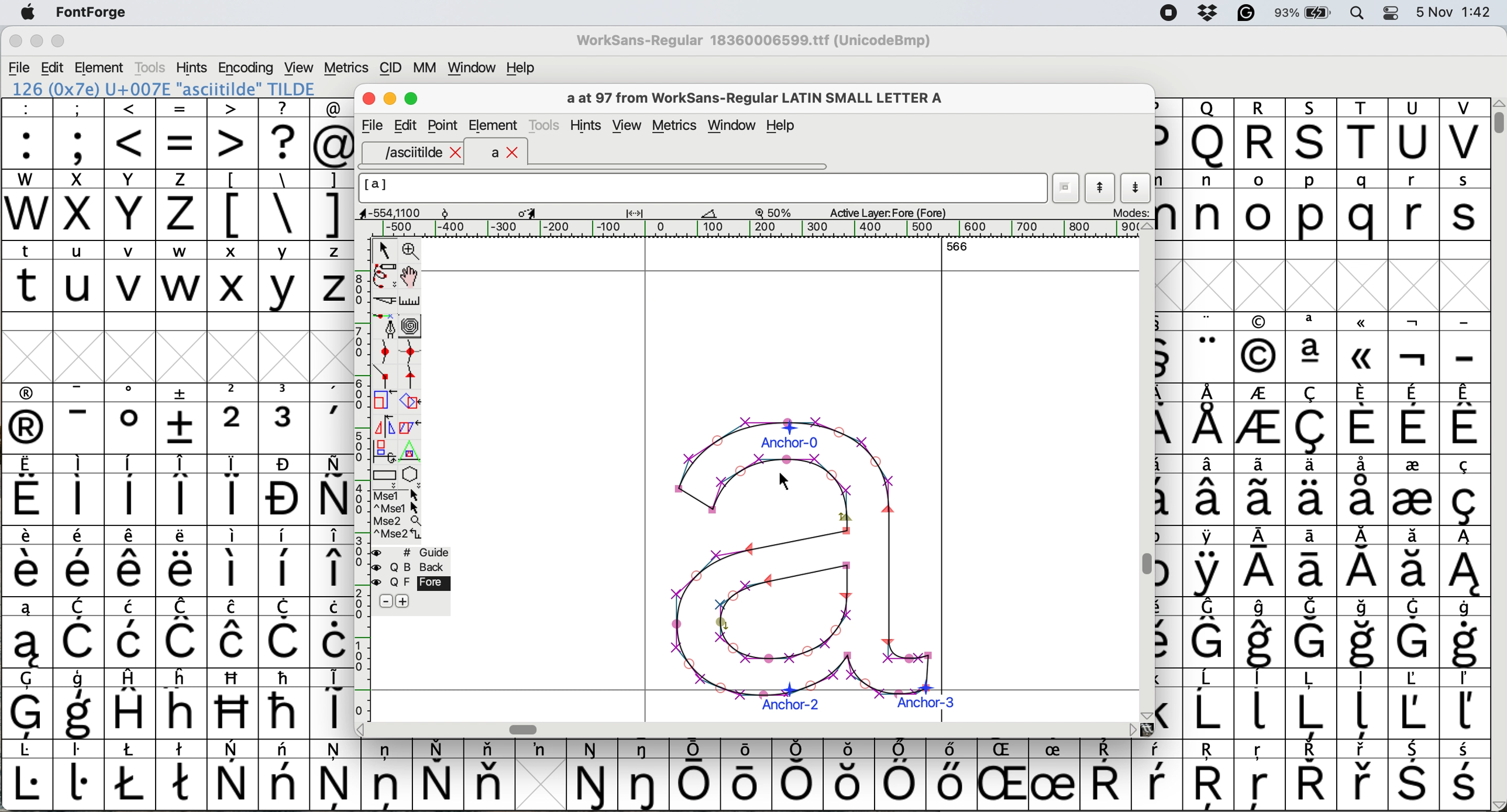 The height and width of the screenshot is (812, 1507). I want to click on -, so click(1465, 349).